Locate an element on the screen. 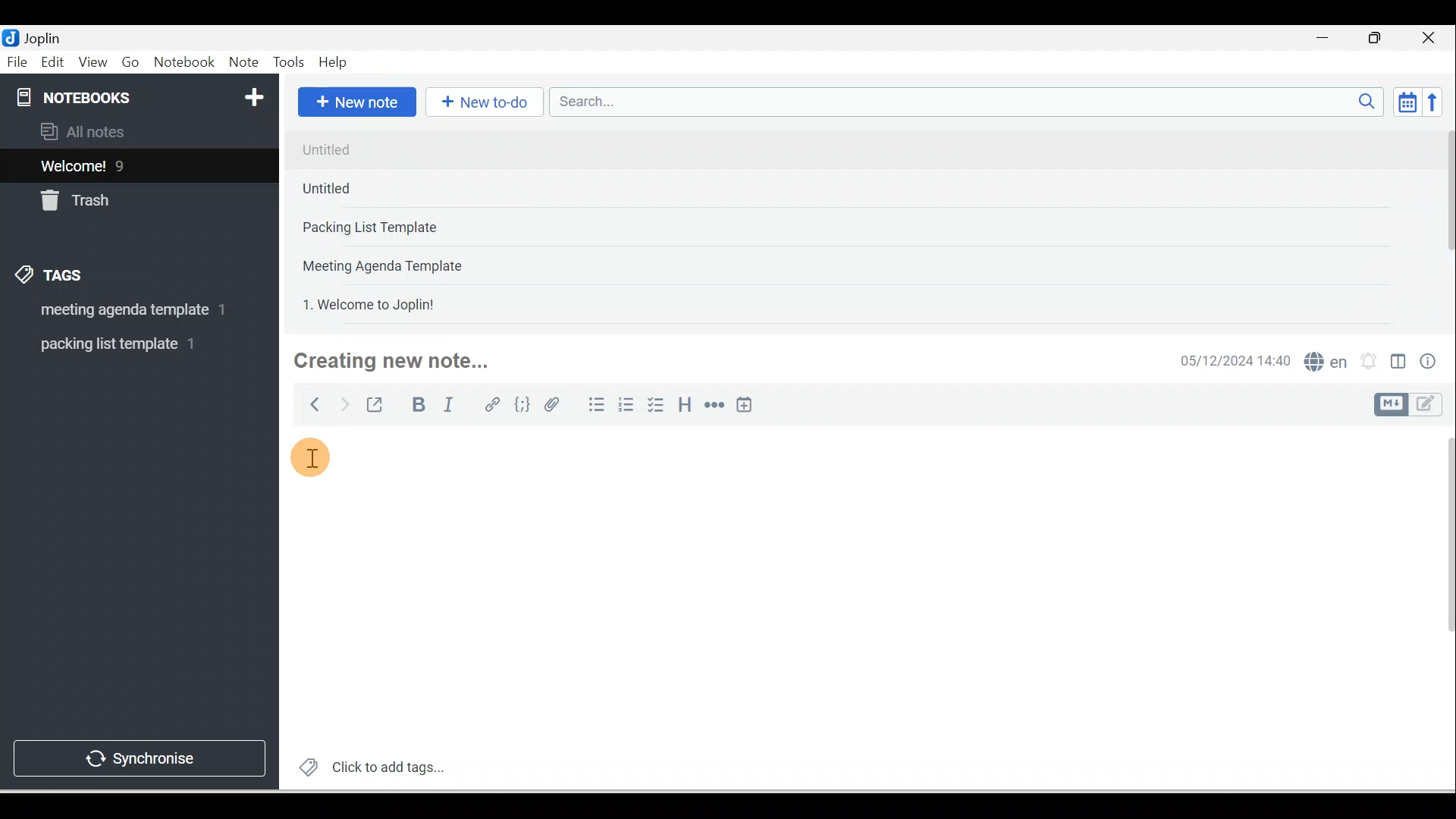 The height and width of the screenshot is (819, 1456). Search bar is located at coordinates (971, 102).